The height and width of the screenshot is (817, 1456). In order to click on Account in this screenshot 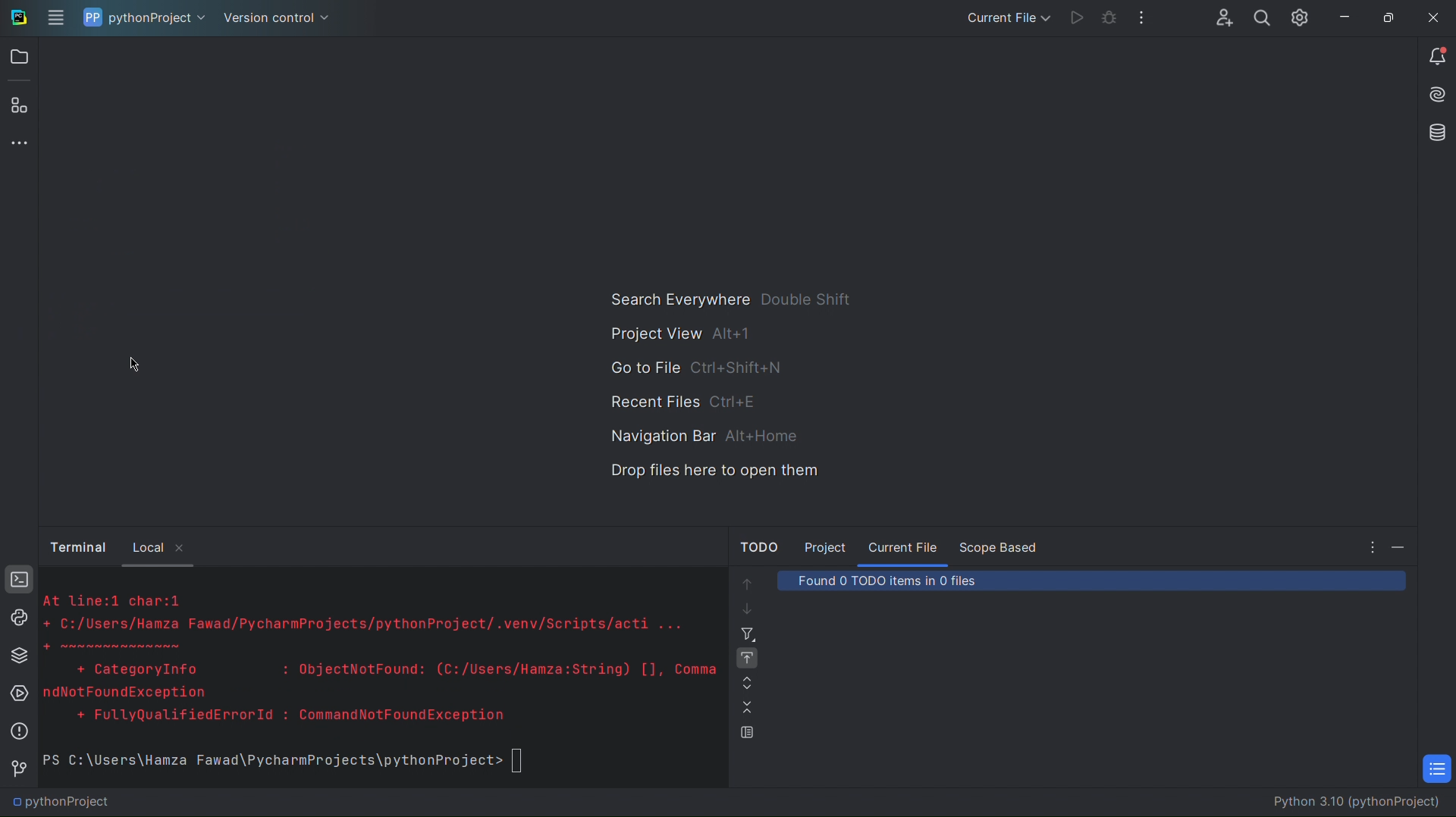, I will do `click(1221, 19)`.